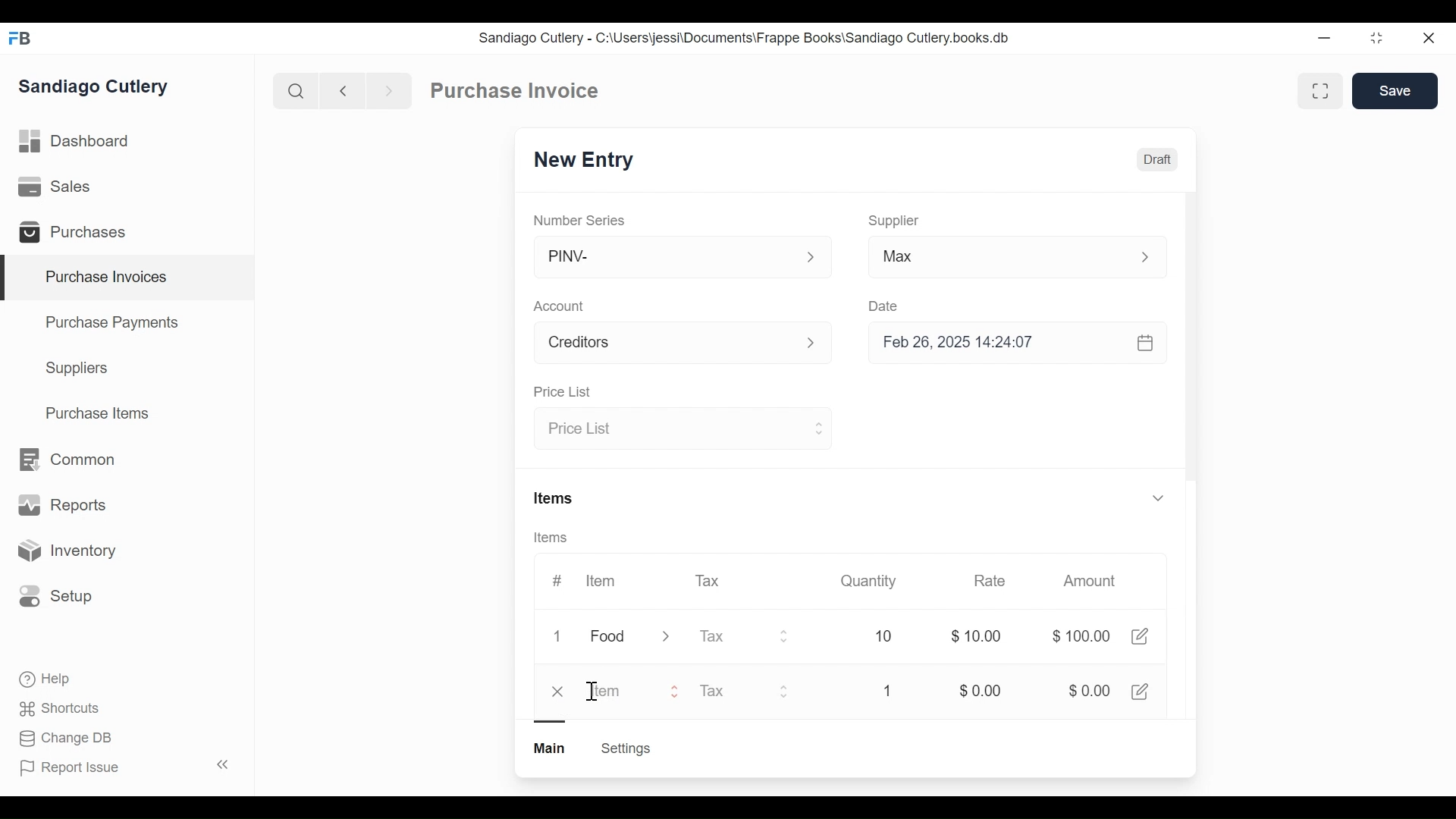  Describe the element at coordinates (1397, 91) in the screenshot. I see `Save` at that location.